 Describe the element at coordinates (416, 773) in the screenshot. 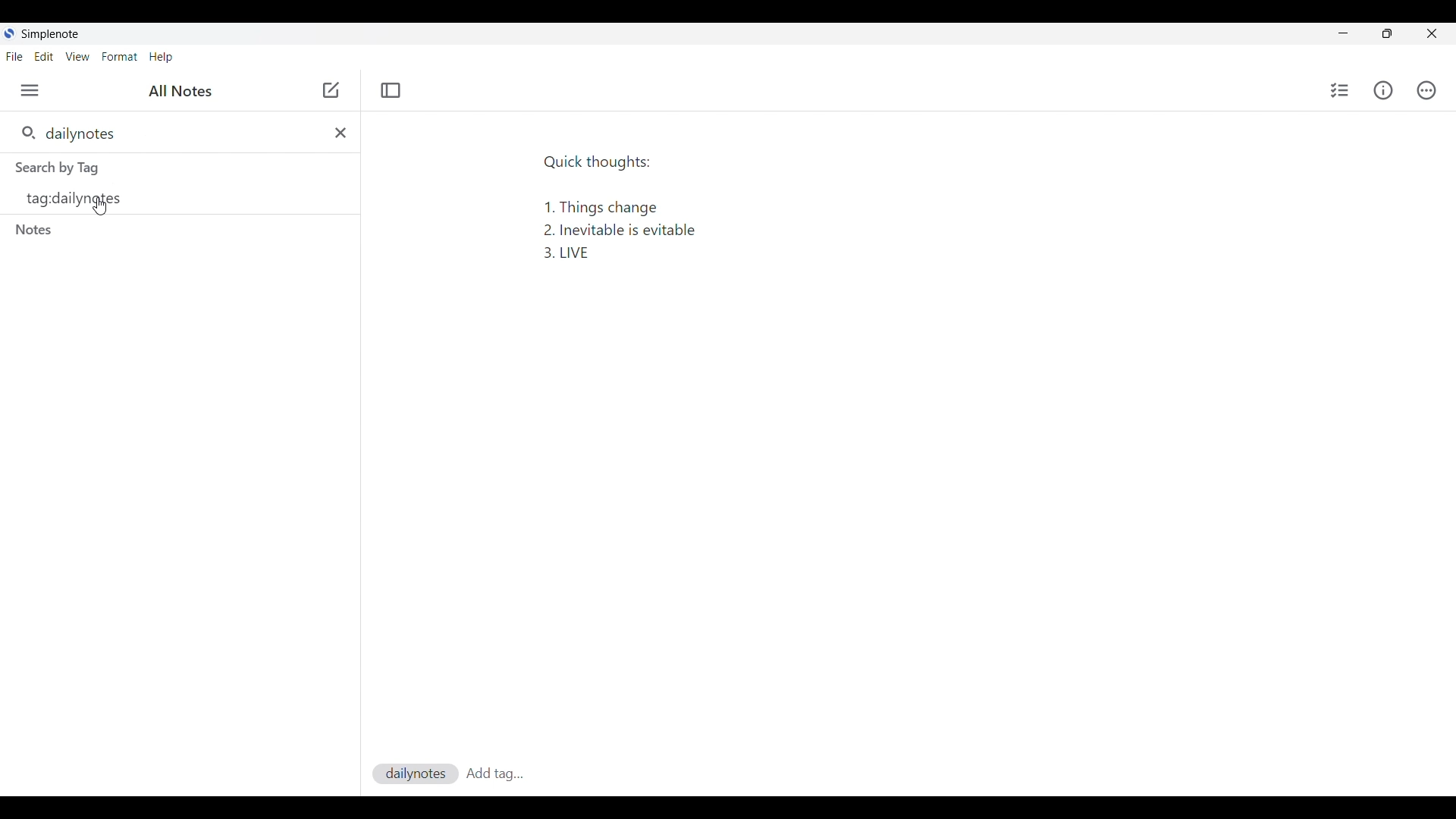

I see `dailynotes` at that location.